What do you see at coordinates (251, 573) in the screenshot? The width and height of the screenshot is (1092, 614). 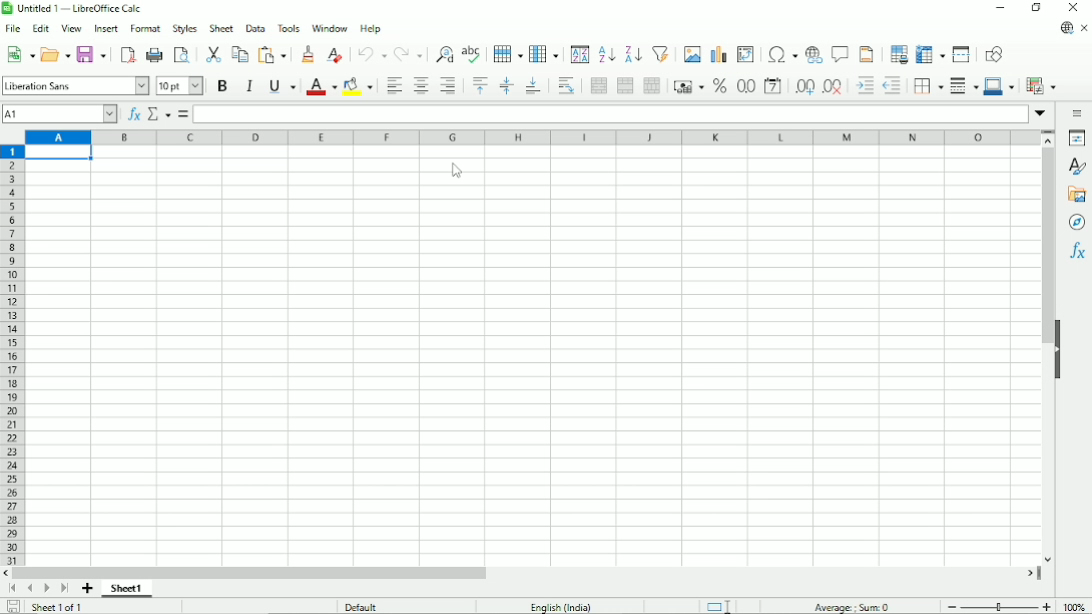 I see `Horizontal scrollbar` at bounding box center [251, 573].